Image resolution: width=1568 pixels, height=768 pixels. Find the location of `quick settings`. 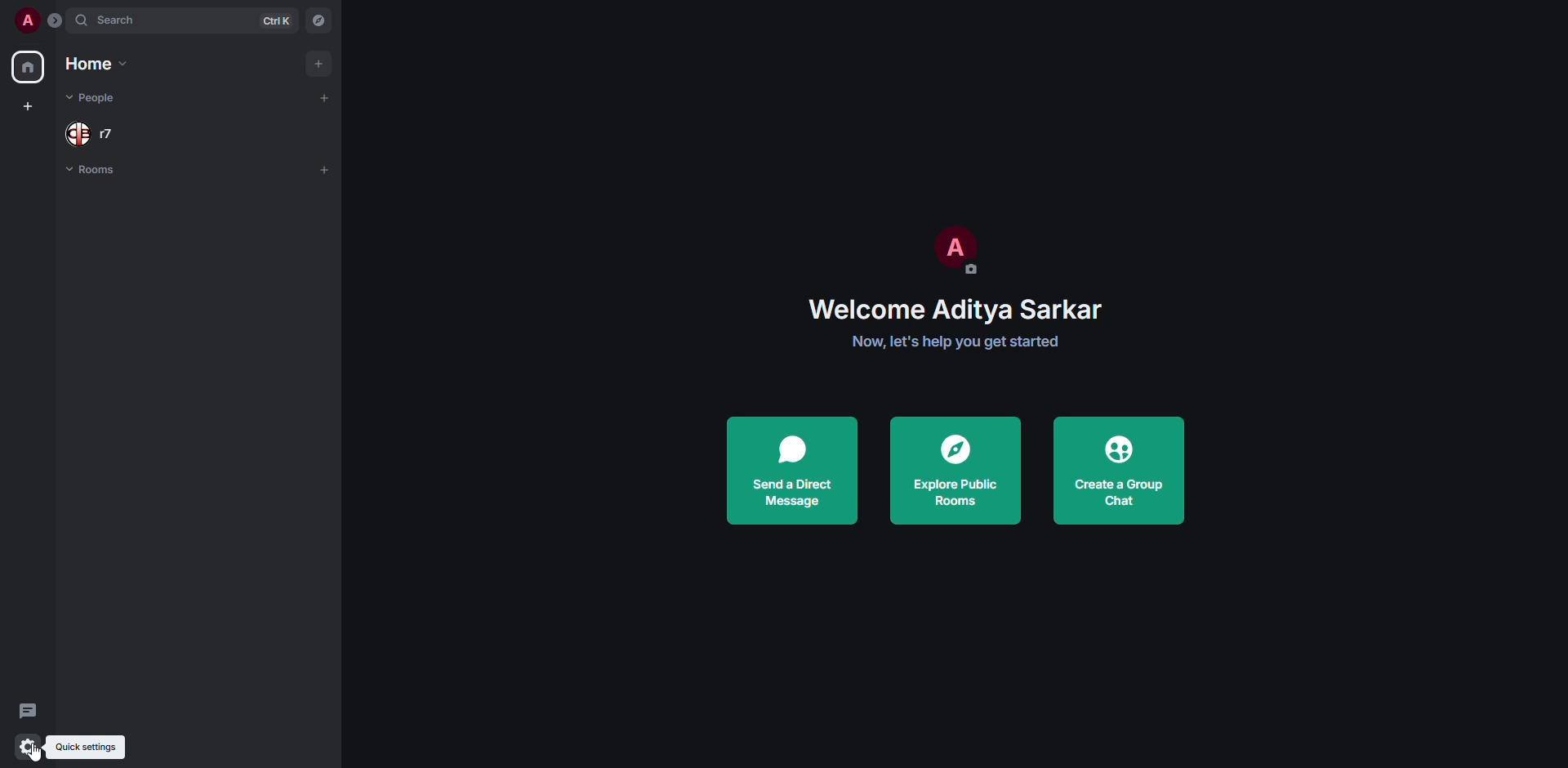

quick settings is located at coordinates (86, 748).